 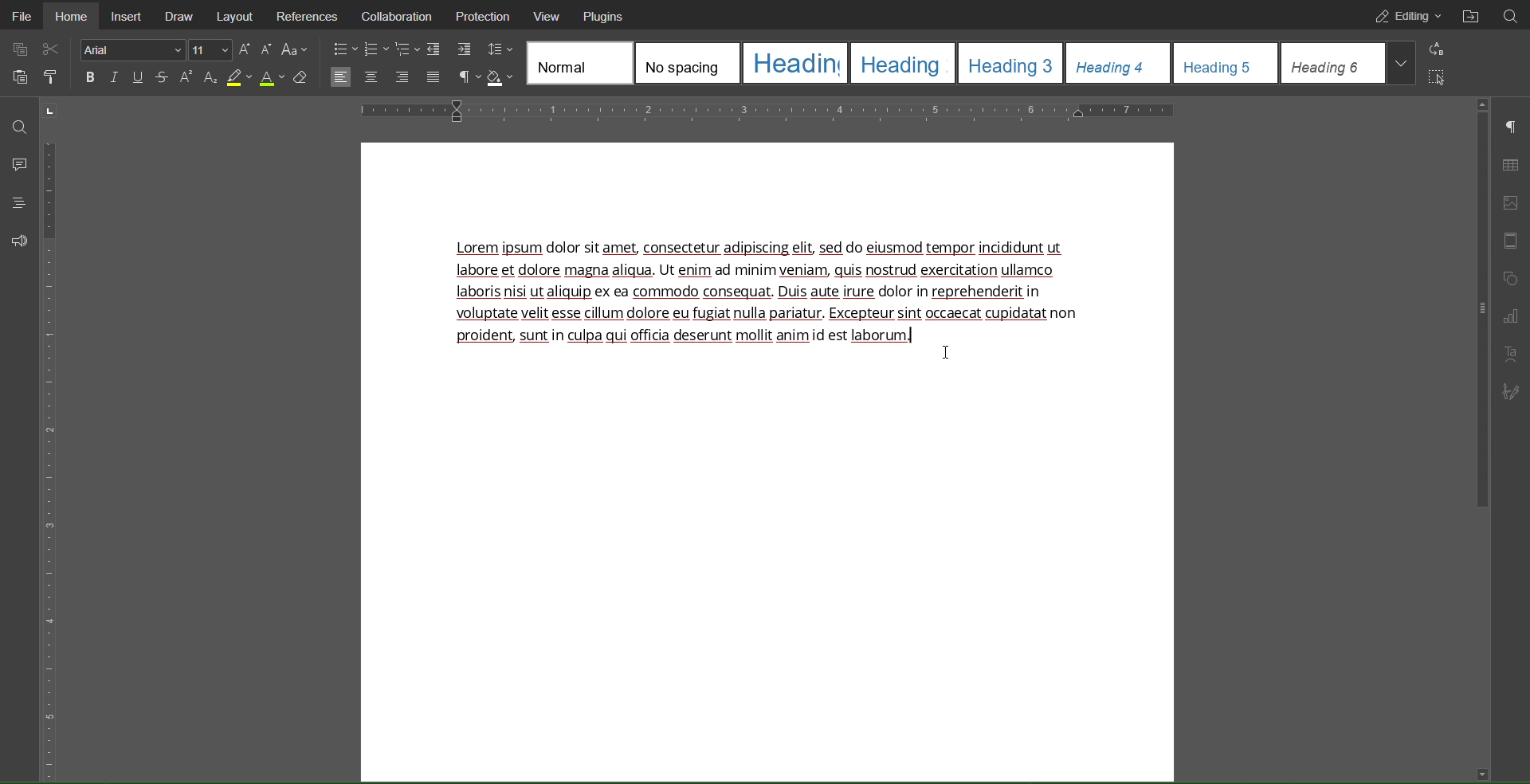 What do you see at coordinates (579, 64) in the screenshot?
I see `Heading Templates` at bounding box center [579, 64].